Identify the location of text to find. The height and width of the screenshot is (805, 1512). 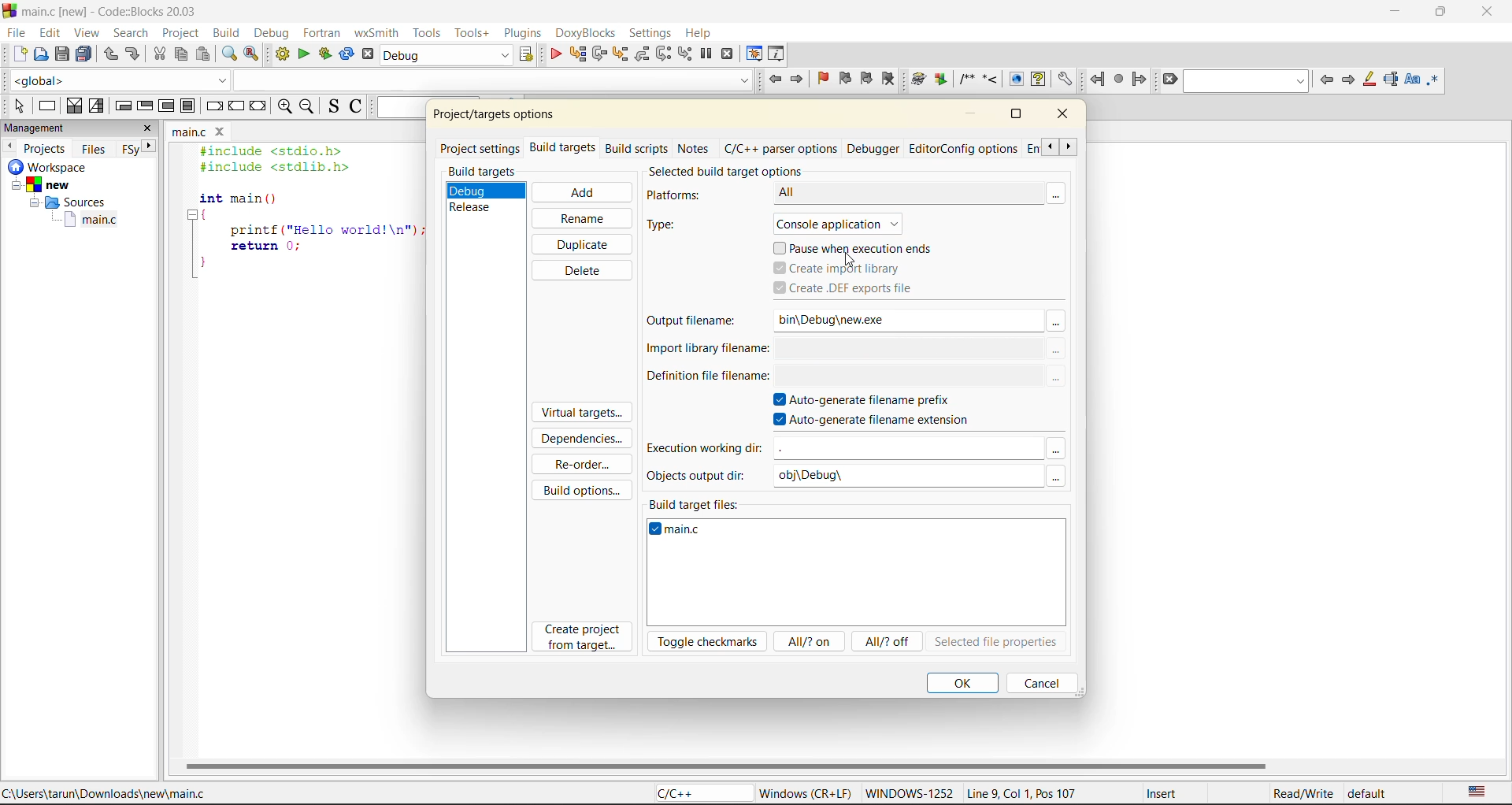
(1247, 81).